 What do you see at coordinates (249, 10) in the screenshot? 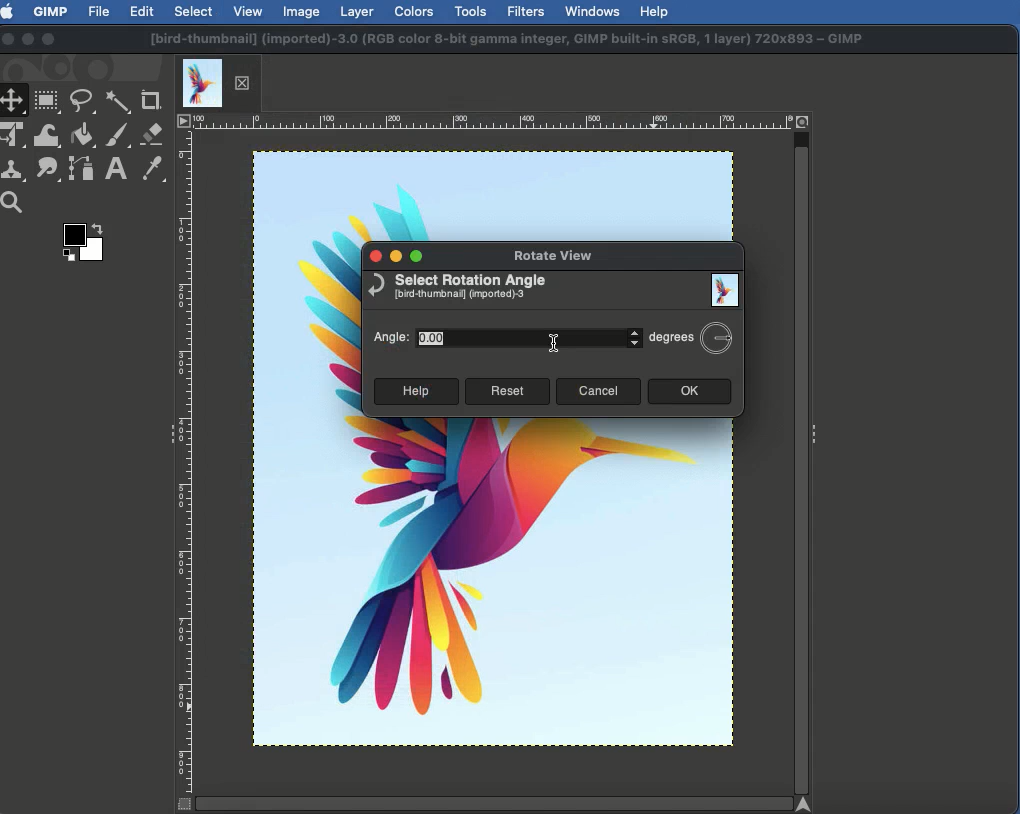
I see `View` at bounding box center [249, 10].